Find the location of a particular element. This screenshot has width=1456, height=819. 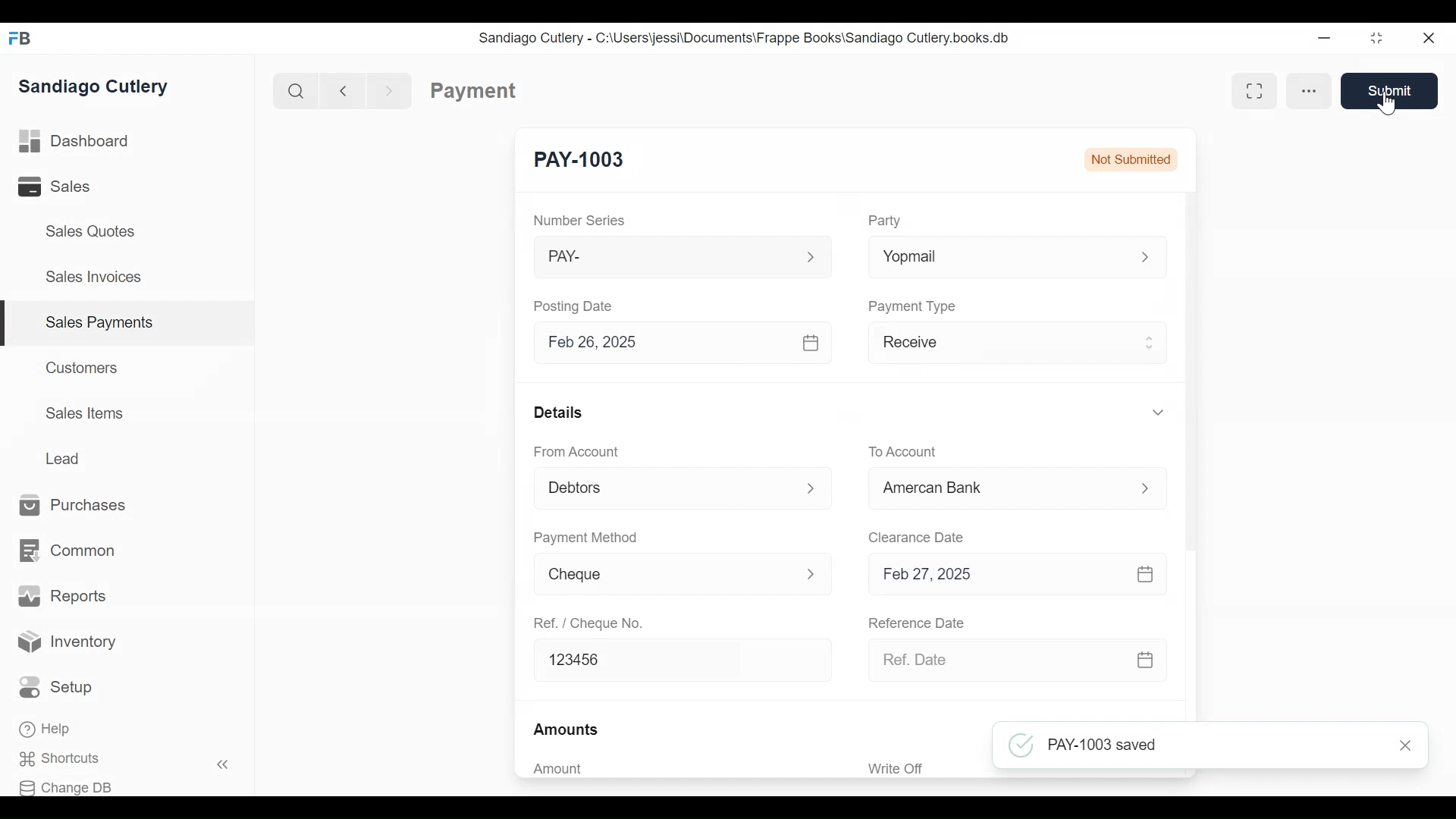

PAY- is located at coordinates (660, 257).